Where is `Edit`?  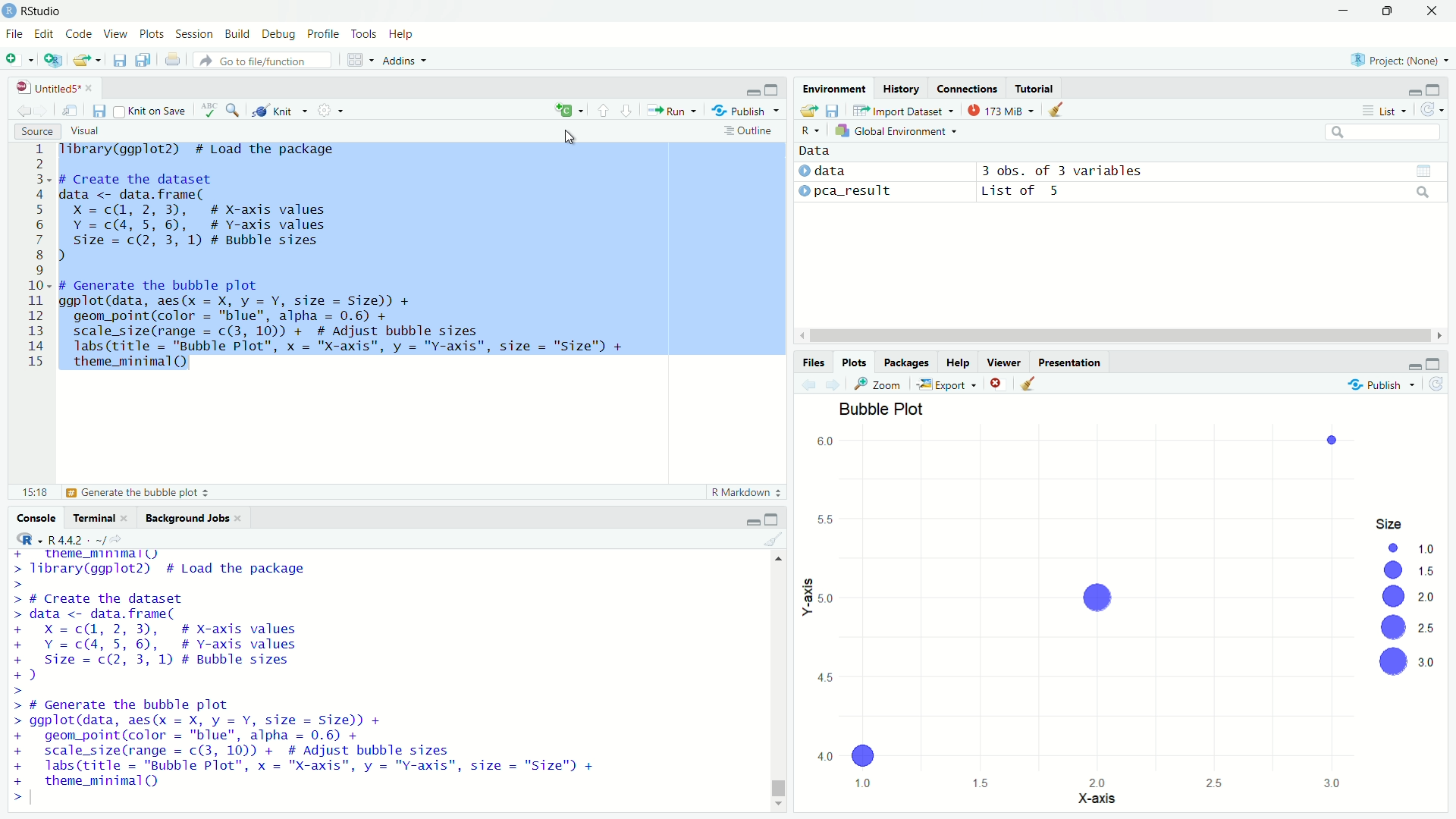
Edit is located at coordinates (46, 35).